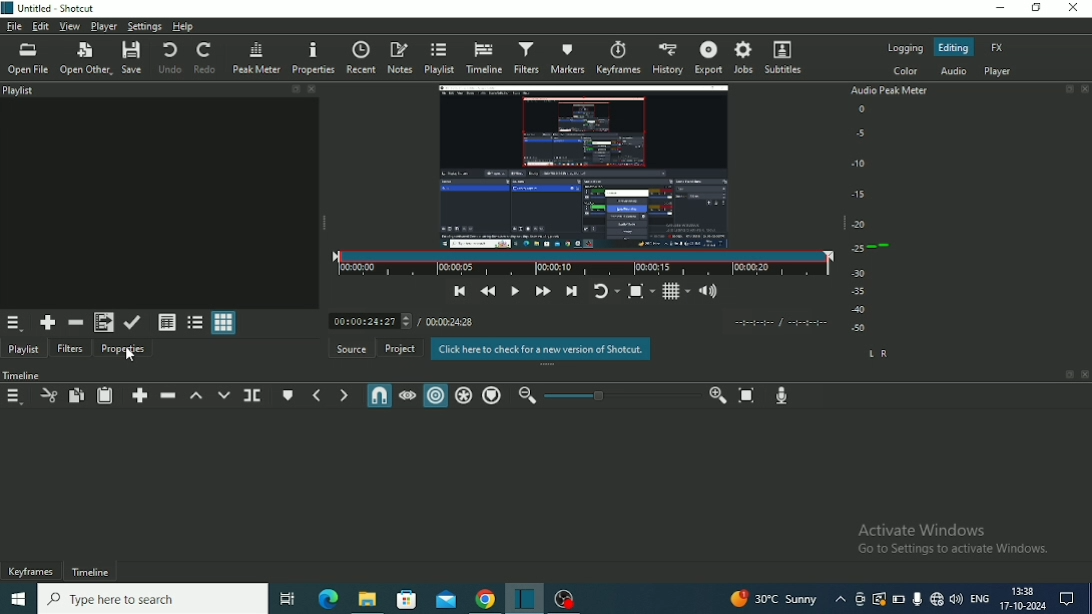 This screenshot has height=614, width=1092. What do you see at coordinates (313, 89) in the screenshot?
I see `Close` at bounding box center [313, 89].